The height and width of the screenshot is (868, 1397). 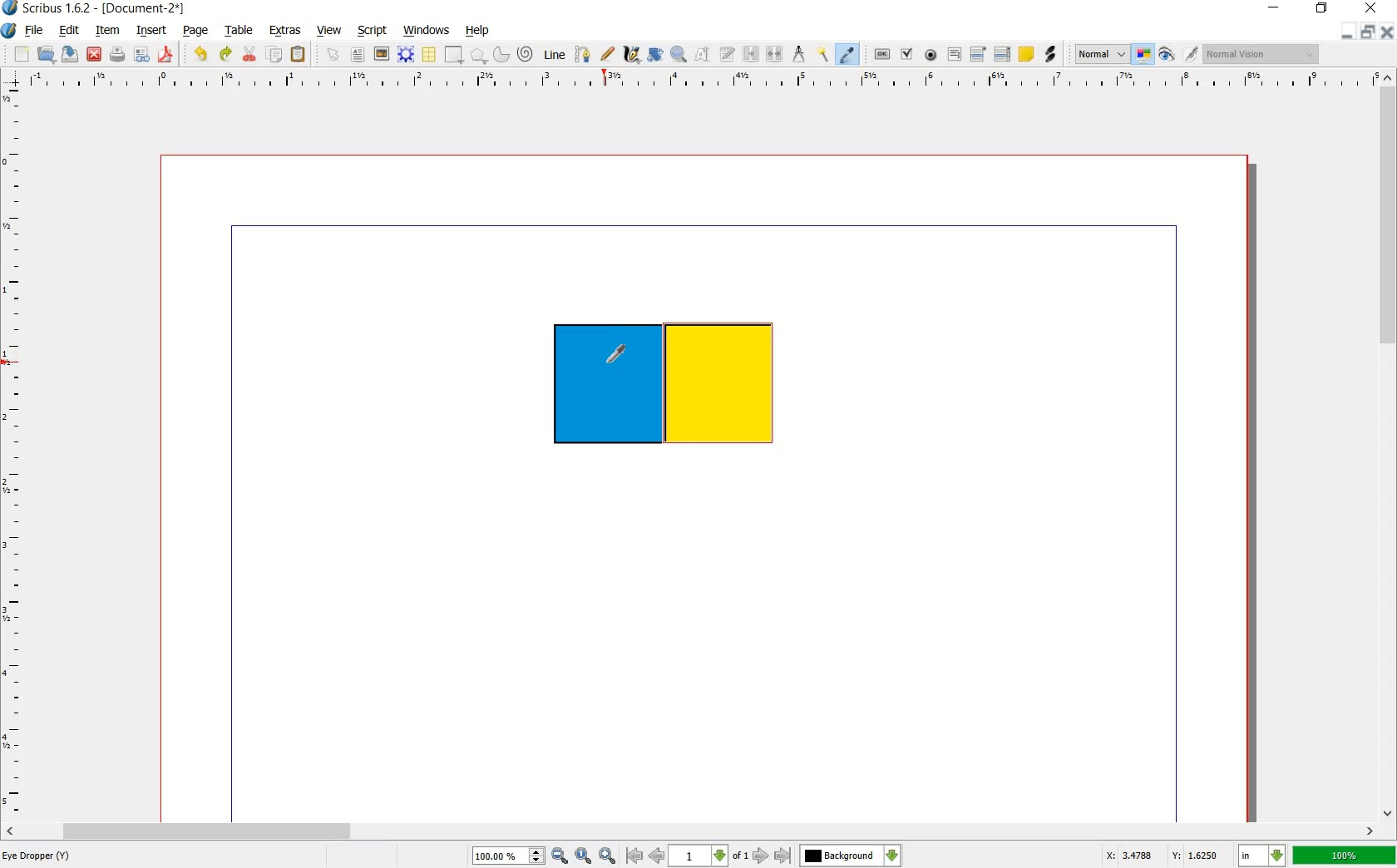 What do you see at coordinates (226, 56) in the screenshot?
I see `redo` at bounding box center [226, 56].